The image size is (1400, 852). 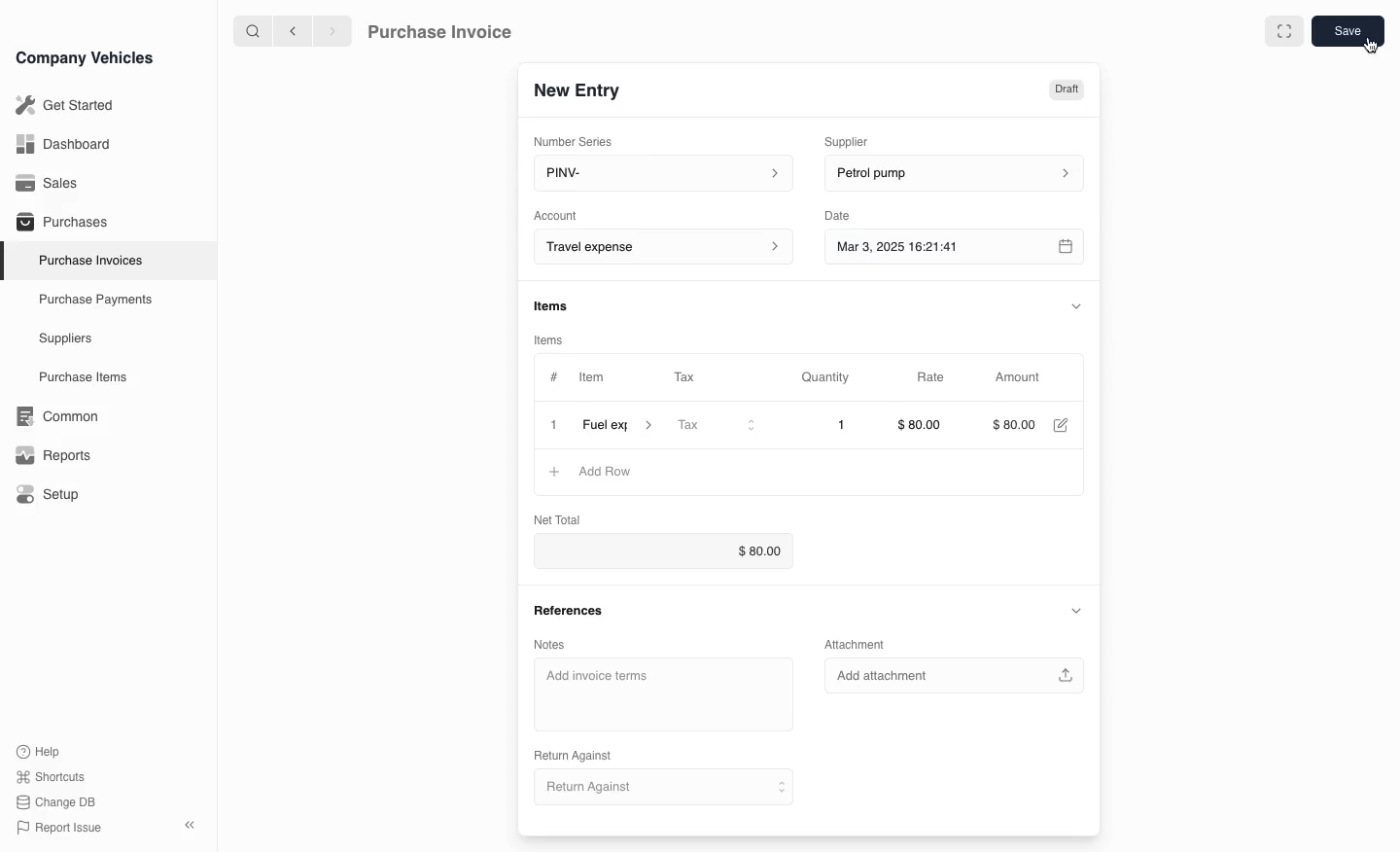 What do you see at coordinates (553, 307) in the screenshot?
I see `items` at bounding box center [553, 307].